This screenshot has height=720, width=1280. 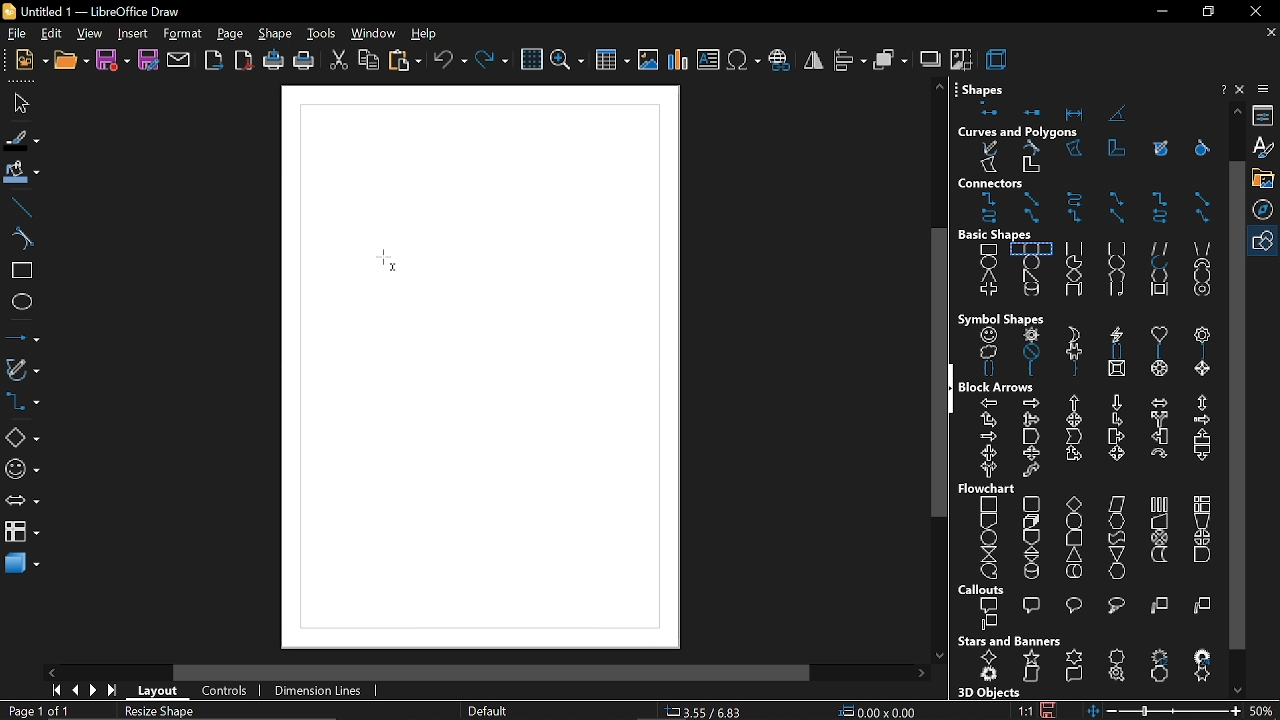 I want to click on open, so click(x=70, y=61).